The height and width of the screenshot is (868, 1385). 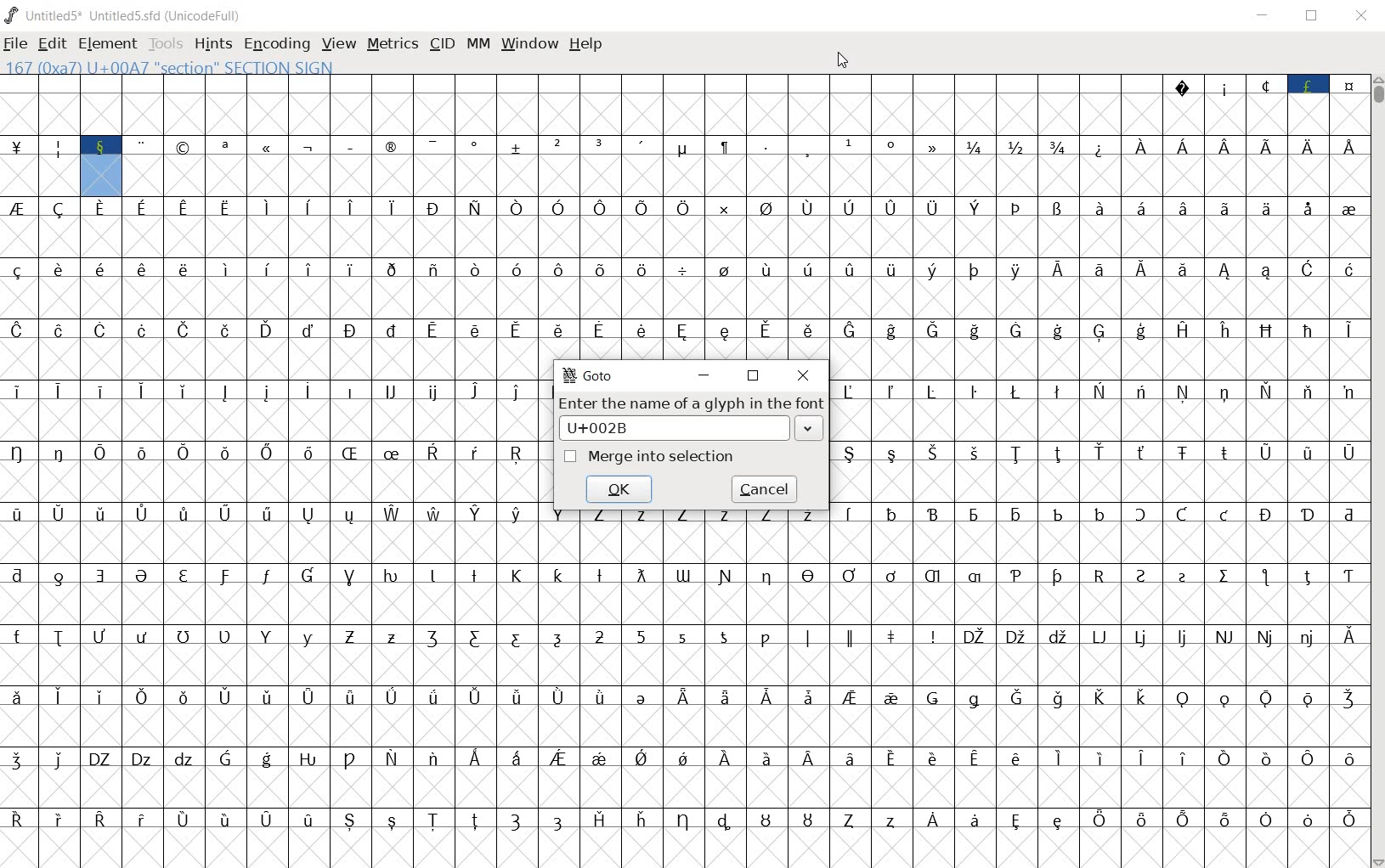 I want to click on , so click(x=1099, y=444).